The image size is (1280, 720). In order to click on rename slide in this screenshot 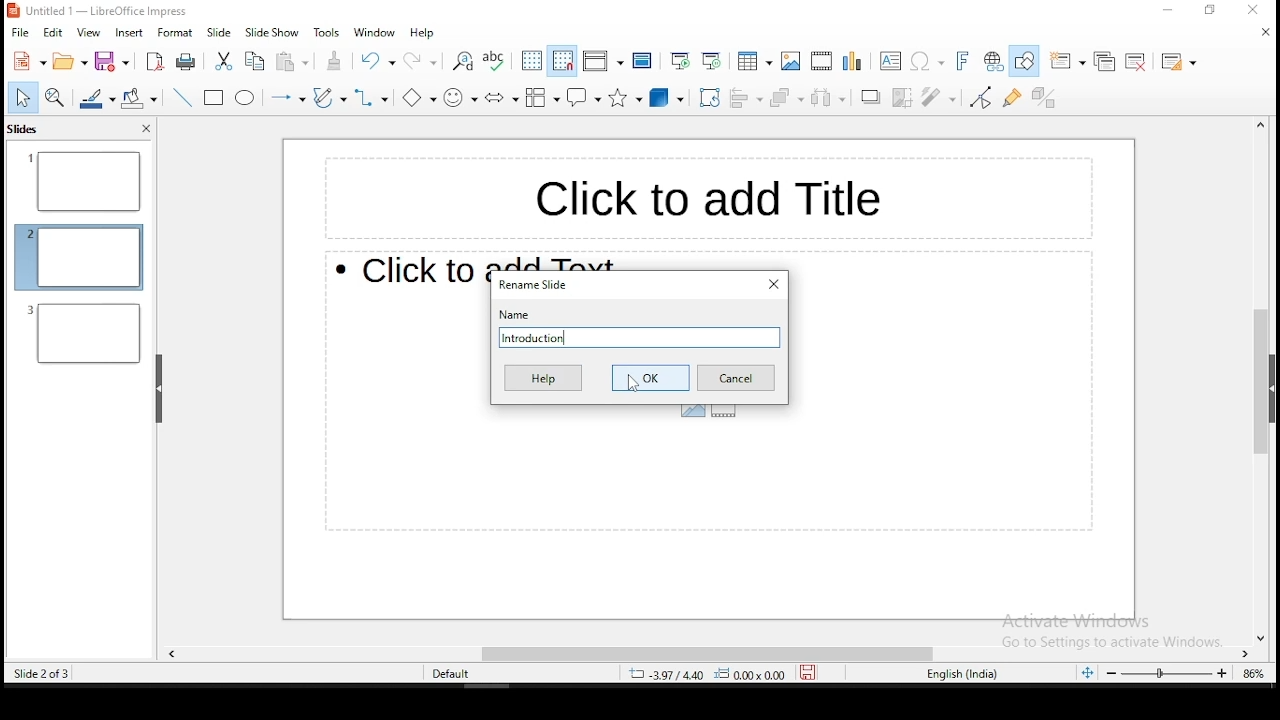, I will do `click(536, 285)`.